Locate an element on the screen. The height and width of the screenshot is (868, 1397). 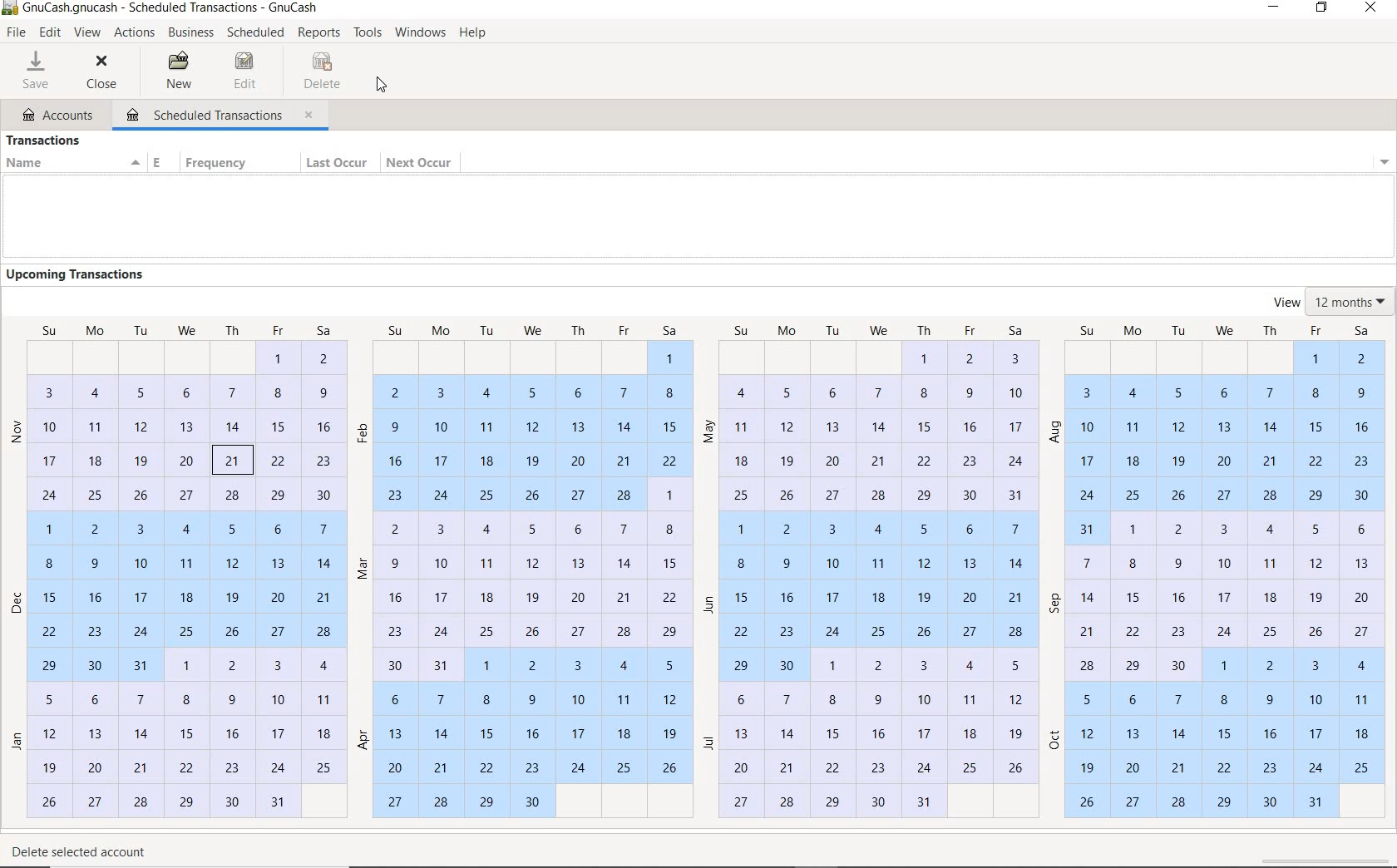
HELP is located at coordinates (475, 32).